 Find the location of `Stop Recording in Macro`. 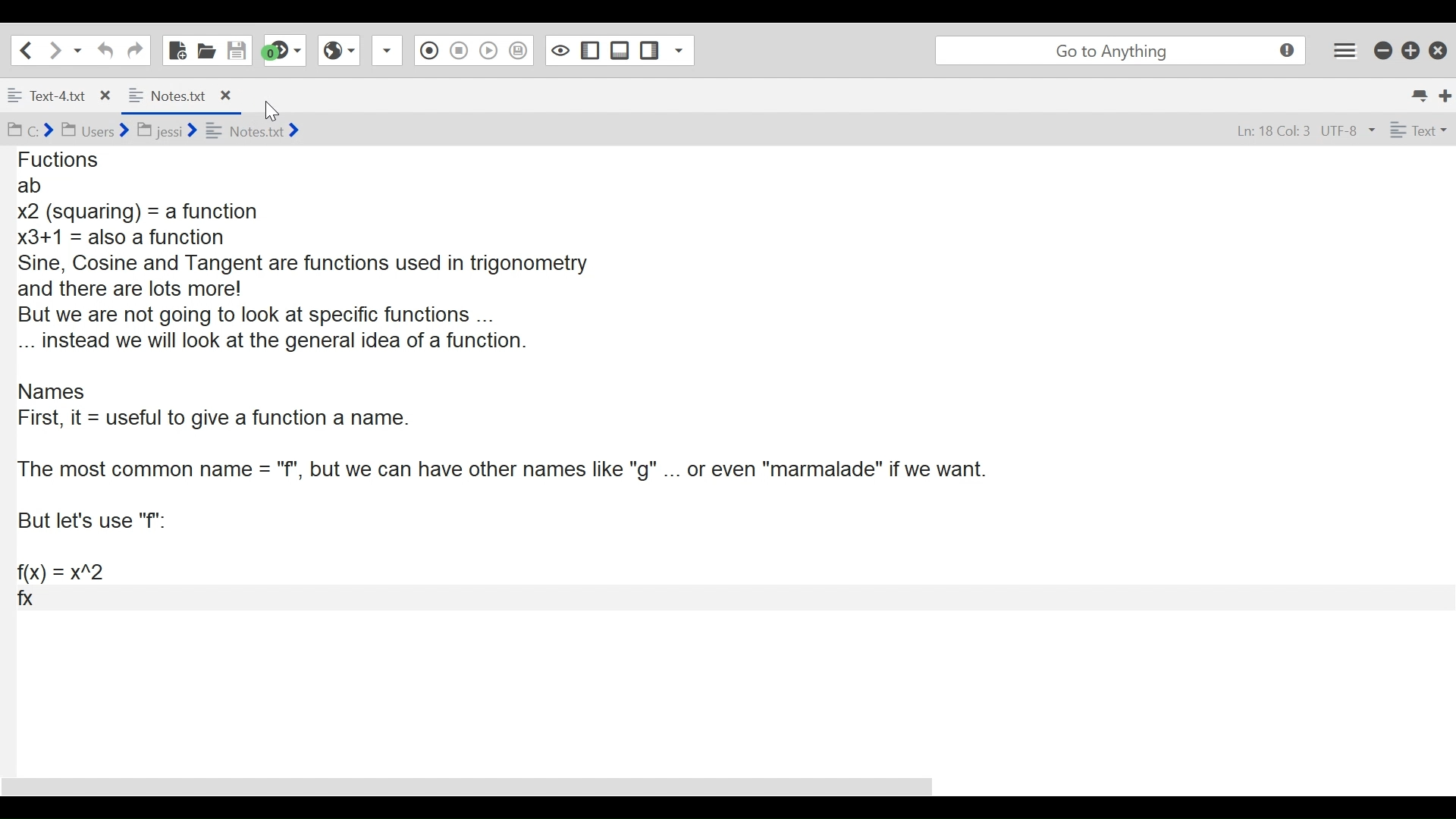

Stop Recording in Macro is located at coordinates (458, 52).